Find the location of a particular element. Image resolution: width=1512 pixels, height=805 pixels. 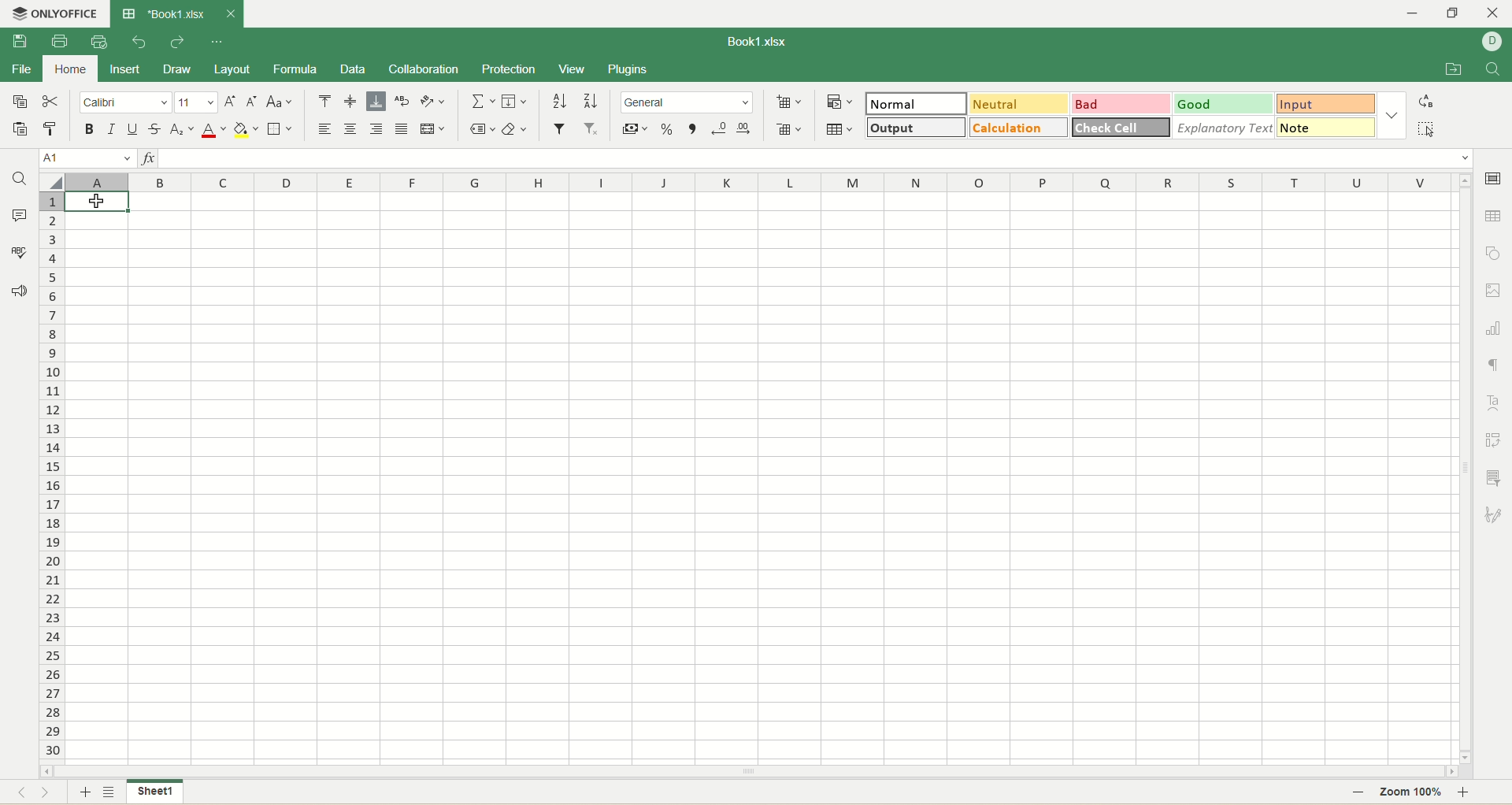

quick settings is located at coordinates (217, 44).